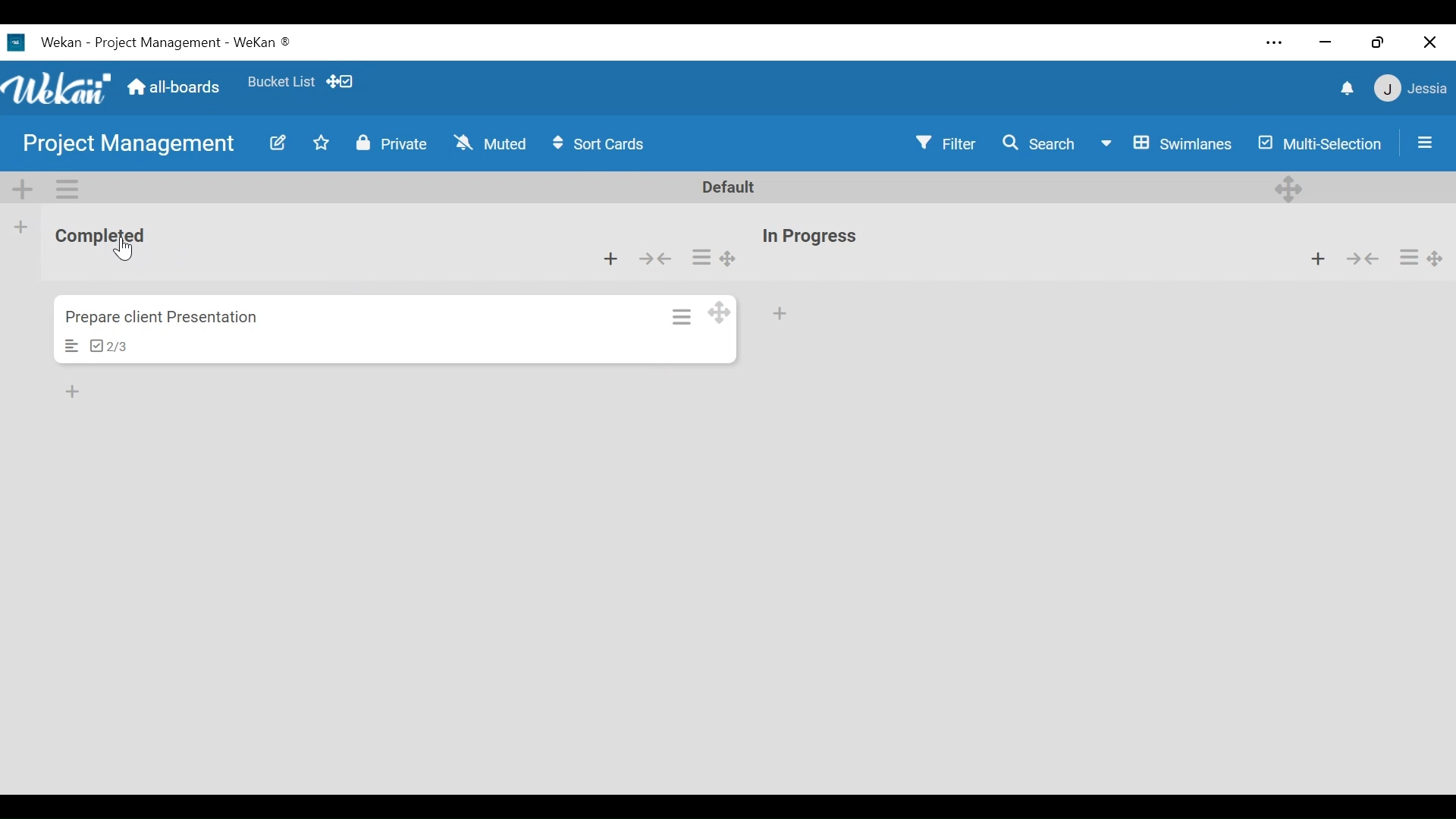  Describe the element at coordinates (1041, 143) in the screenshot. I see `Search` at that location.